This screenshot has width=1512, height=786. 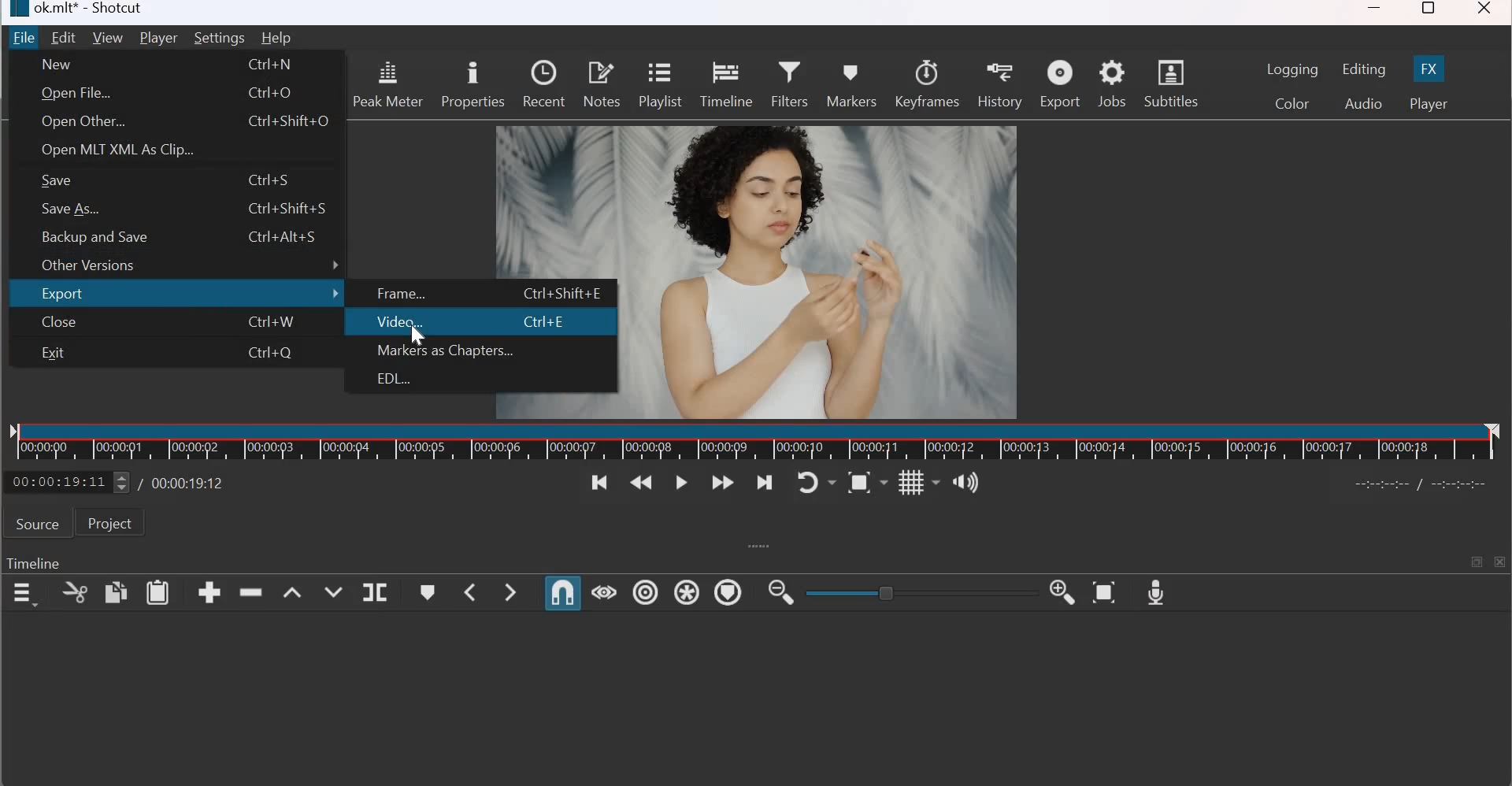 I want to click on append, so click(x=209, y=591).